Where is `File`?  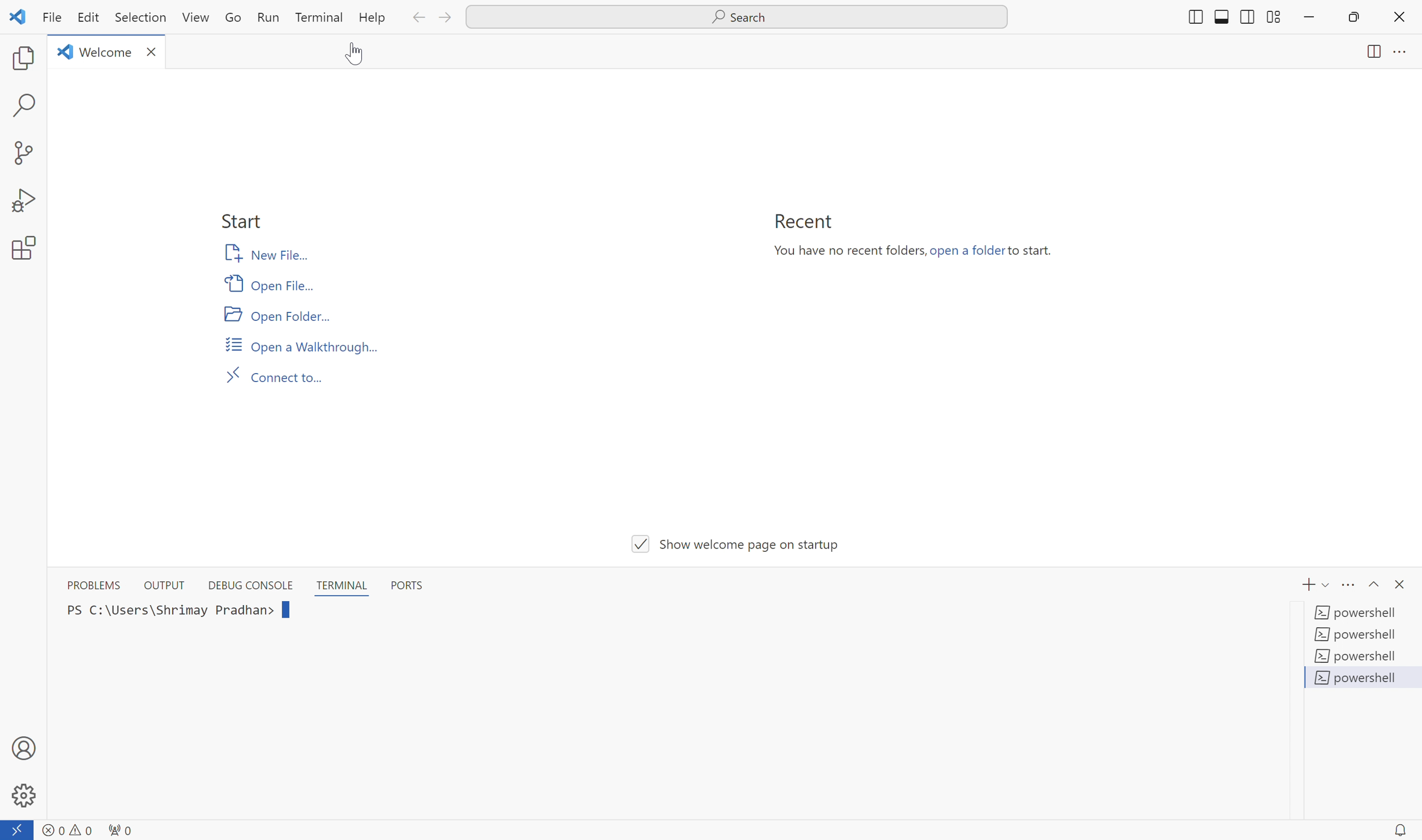
File is located at coordinates (49, 18).